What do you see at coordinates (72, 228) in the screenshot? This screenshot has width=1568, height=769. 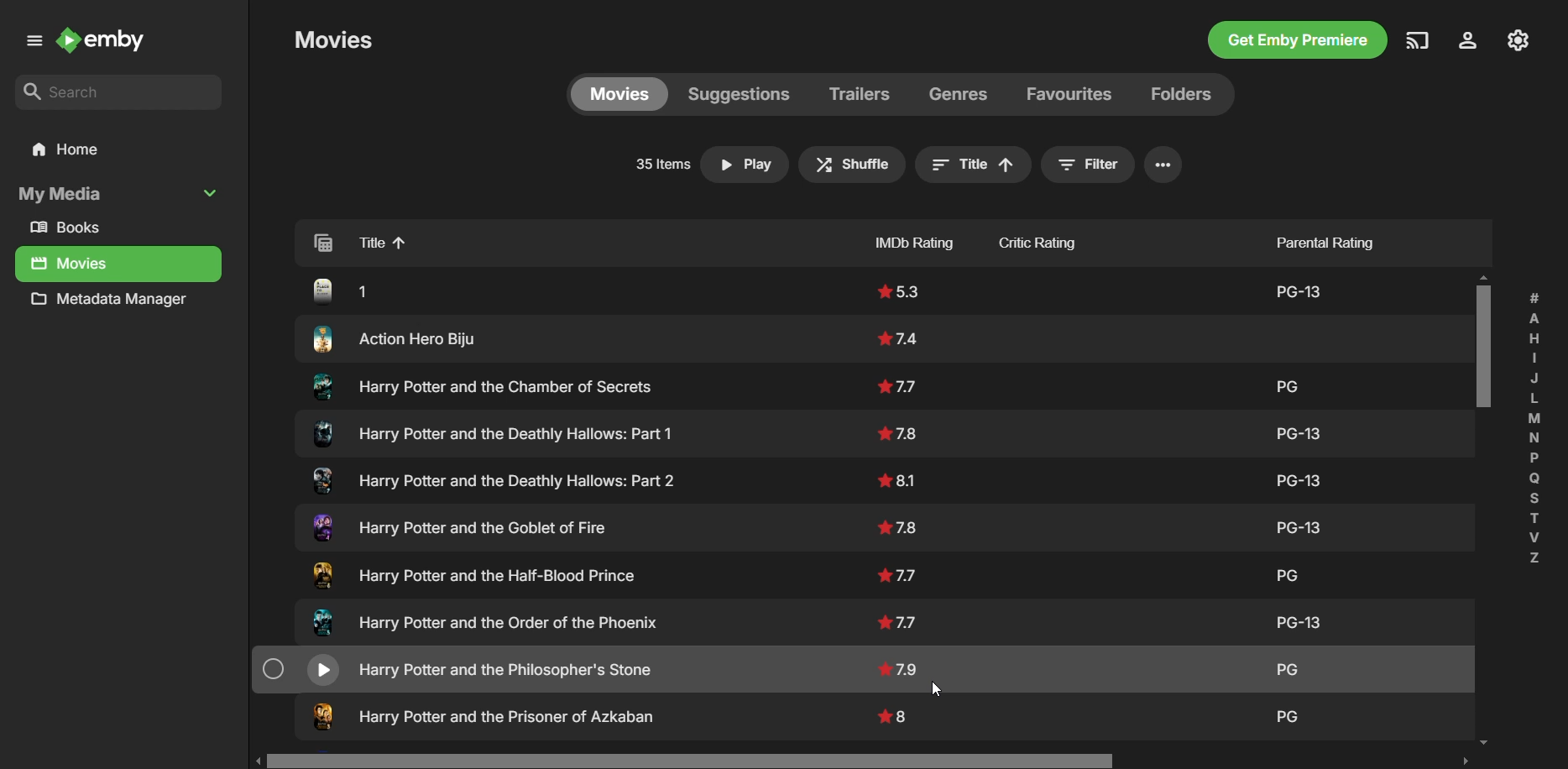 I see `Books` at bounding box center [72, 228].